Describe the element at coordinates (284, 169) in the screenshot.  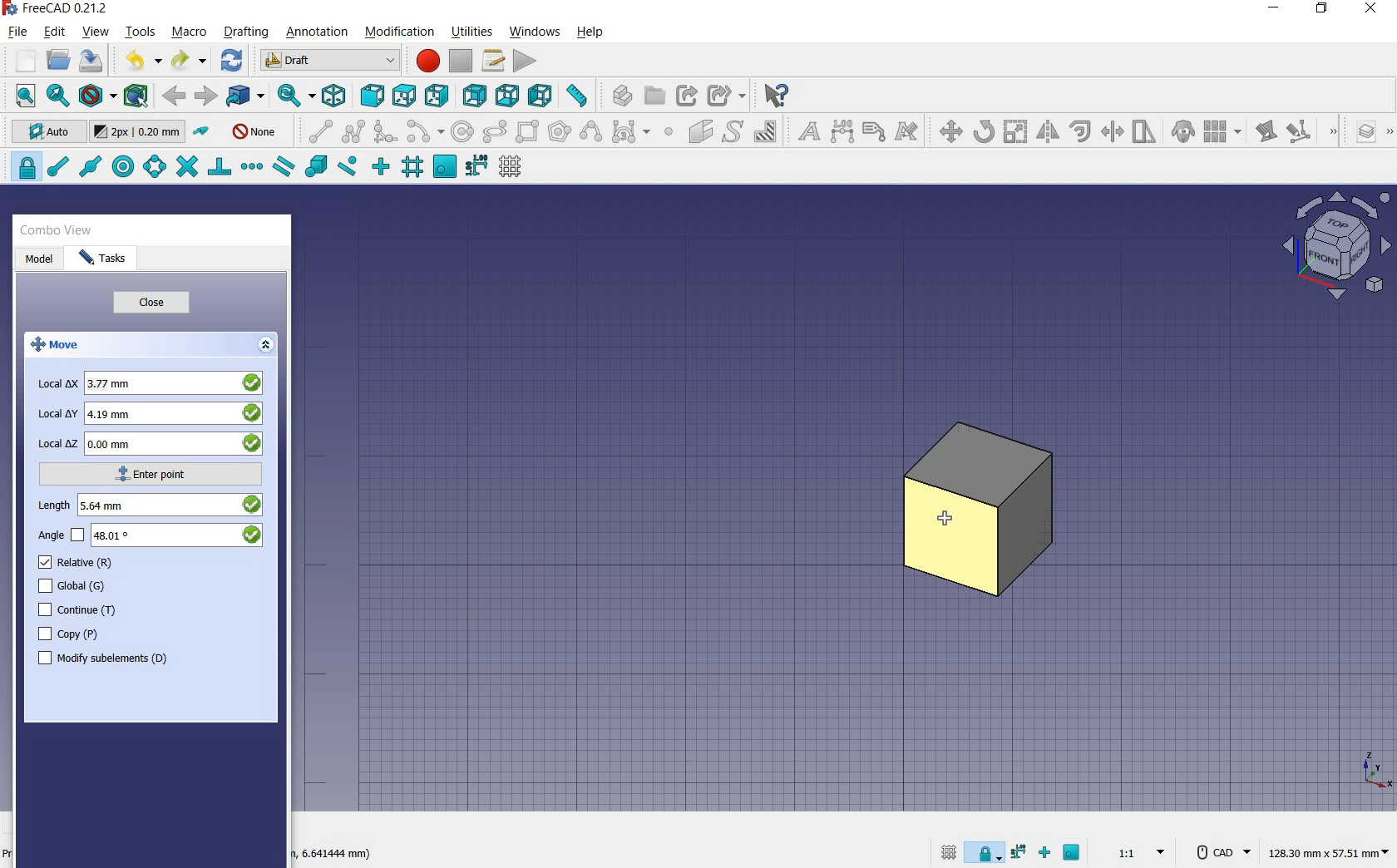
I see `snap parallel` at that location.